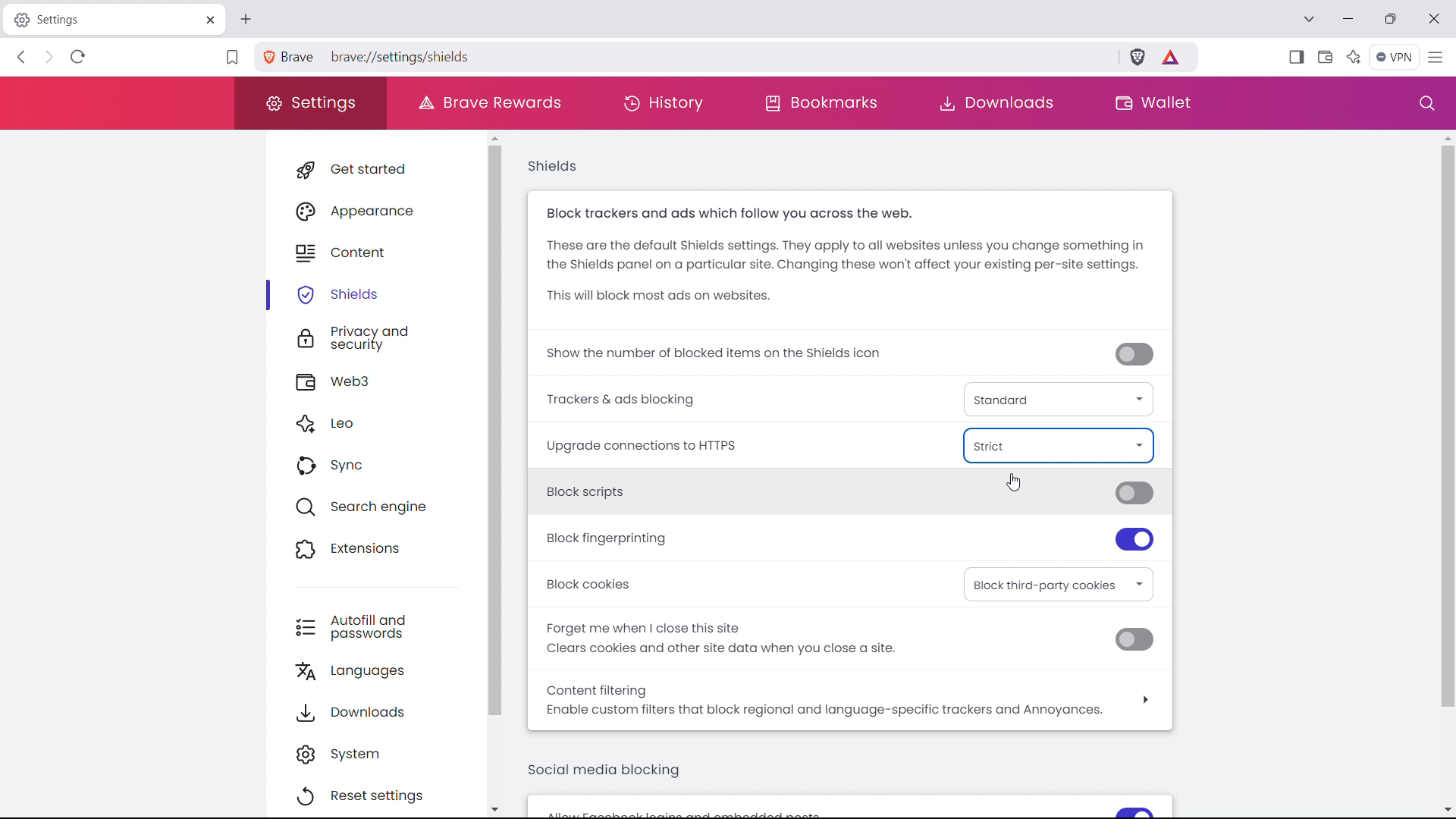 The height and width of the screenshot is (819, 1456). I want to click on content filtering, so click(850, 699).